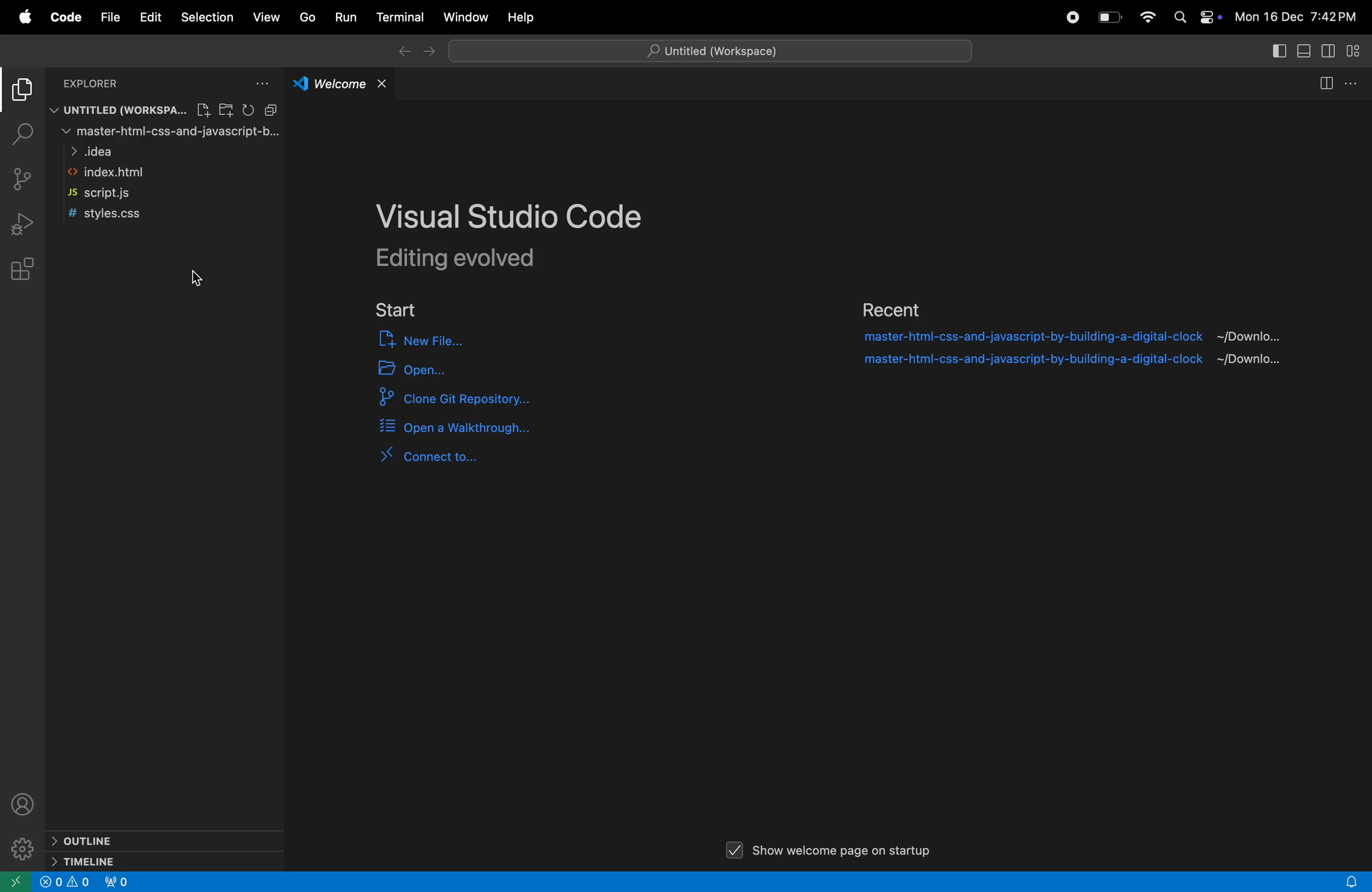 The image size is (1372, 892). What do you see at coordinates (832, 846) in the screenshot?
I see `show welcome on startup page` at bounding box center [832, 846].